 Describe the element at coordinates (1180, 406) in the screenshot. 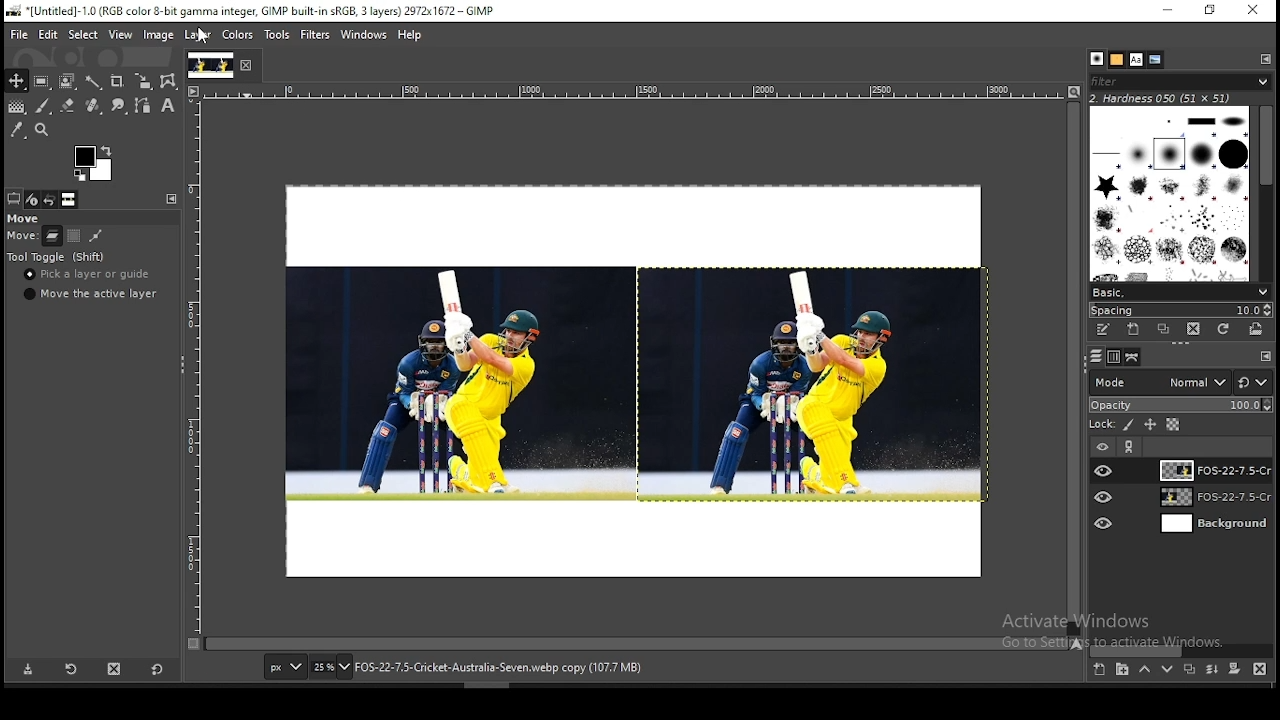

I see `opacity` at that location.